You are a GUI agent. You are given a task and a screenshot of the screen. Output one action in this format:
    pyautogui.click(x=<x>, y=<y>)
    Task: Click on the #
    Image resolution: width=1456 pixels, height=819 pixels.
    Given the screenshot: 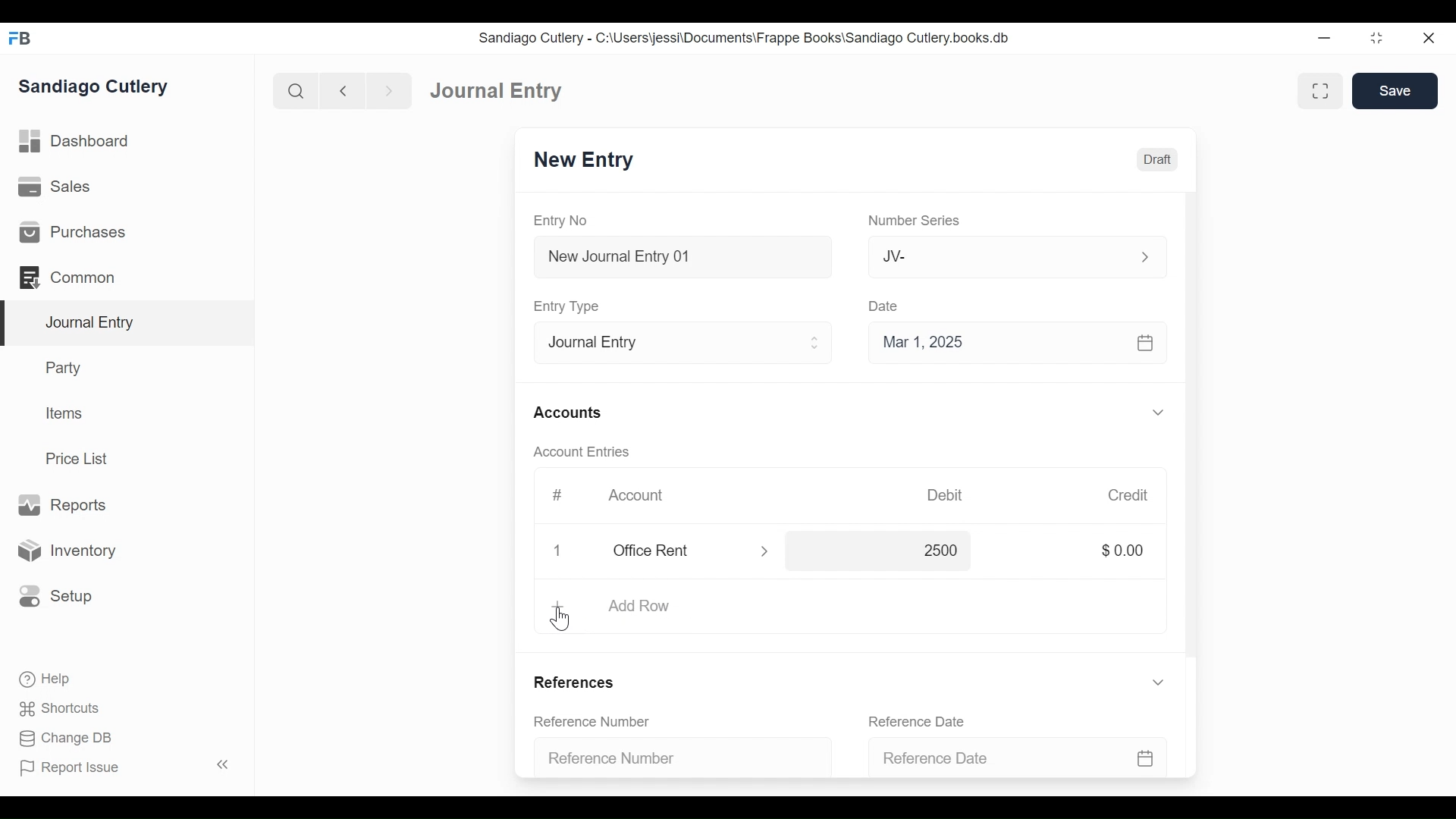 What is the action you would take?
    pyautogui.click(x=552, y=495)
    